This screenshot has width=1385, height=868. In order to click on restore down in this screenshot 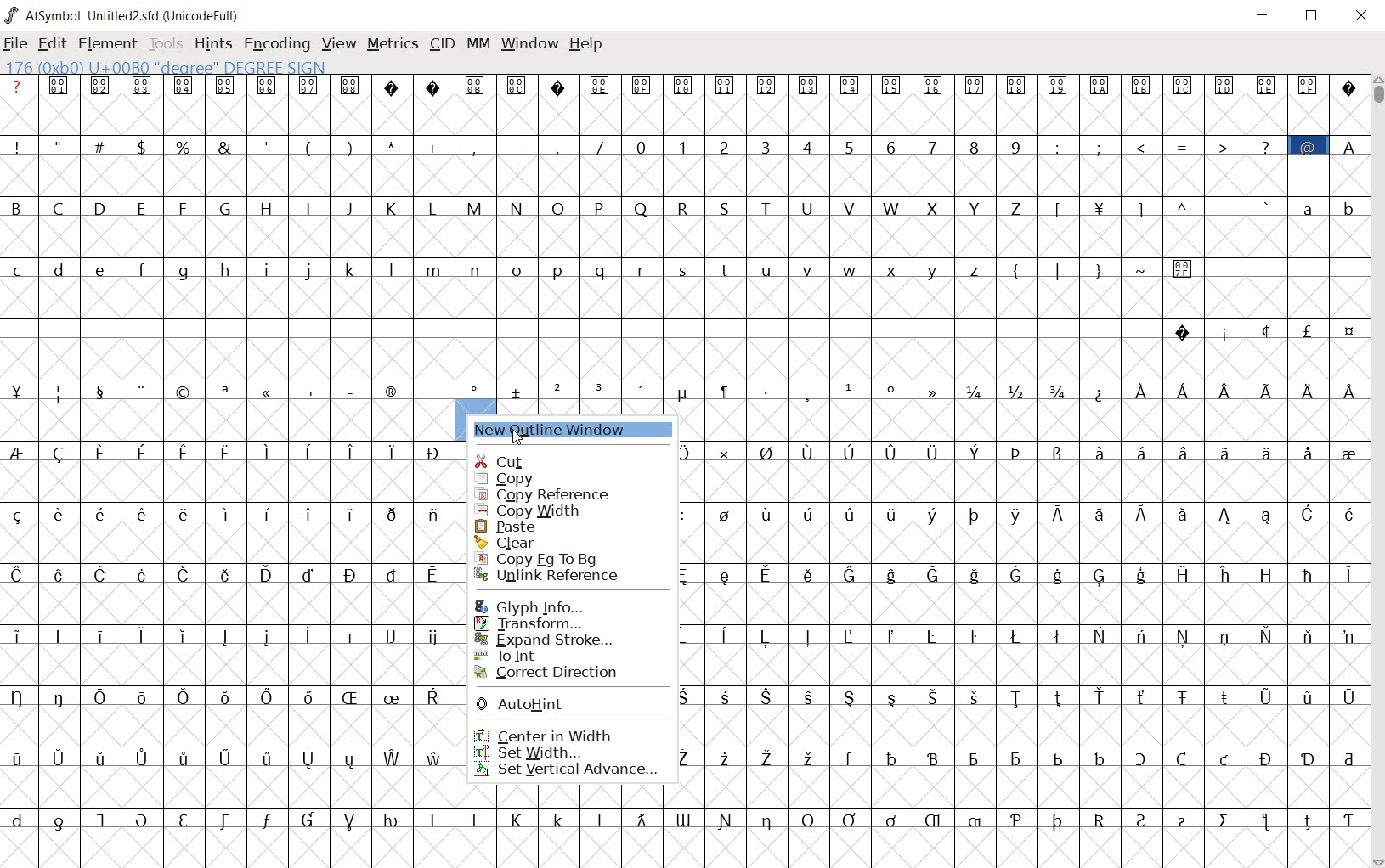, I will do `click(1314, 16)`.